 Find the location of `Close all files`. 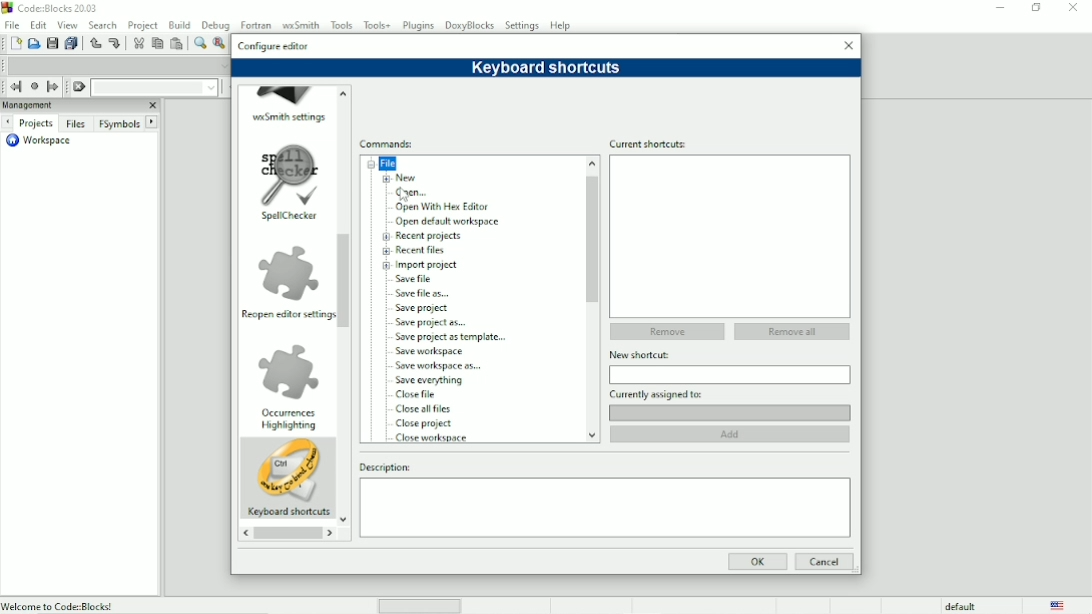

Close all files is located at coordinates (424, 409).